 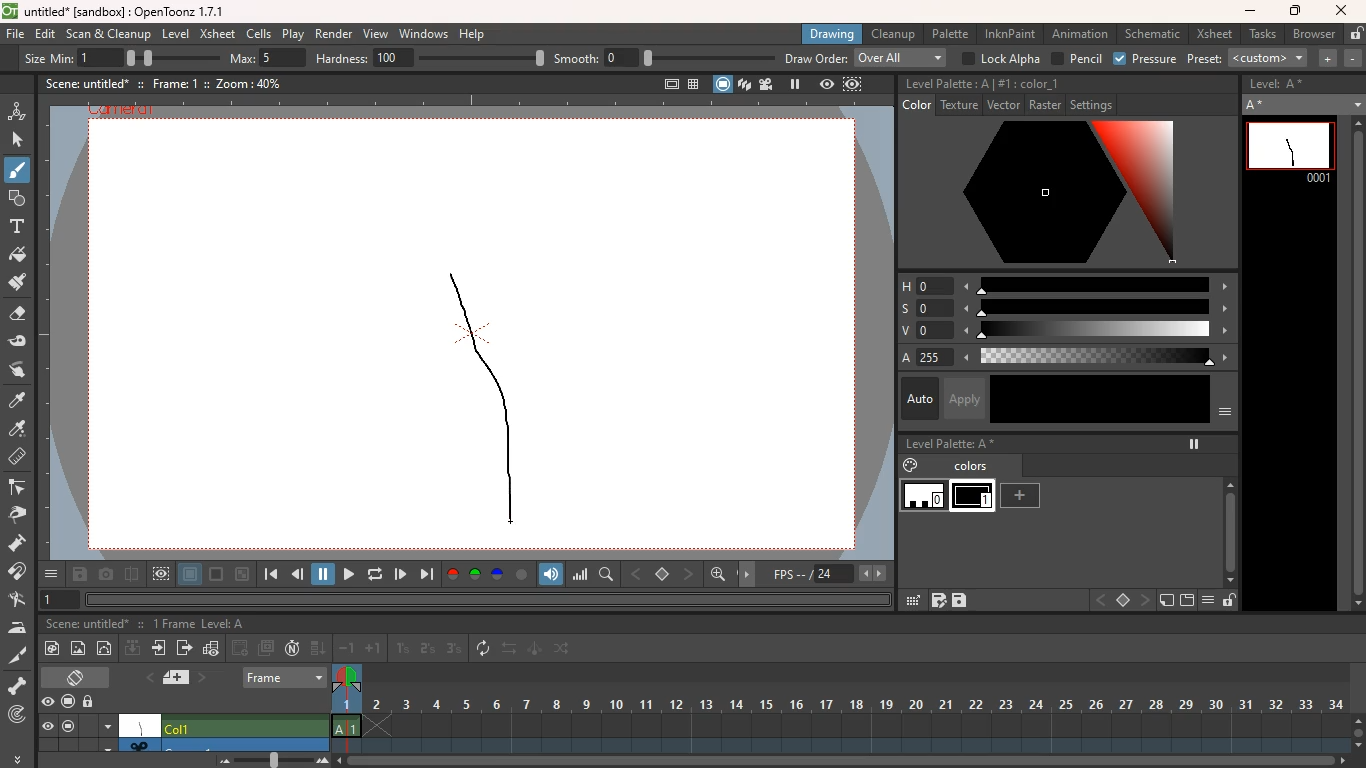 What do you see at coordinates (48, 727) in the screenshot?
I see `eye` at bounding box center [48, 727].